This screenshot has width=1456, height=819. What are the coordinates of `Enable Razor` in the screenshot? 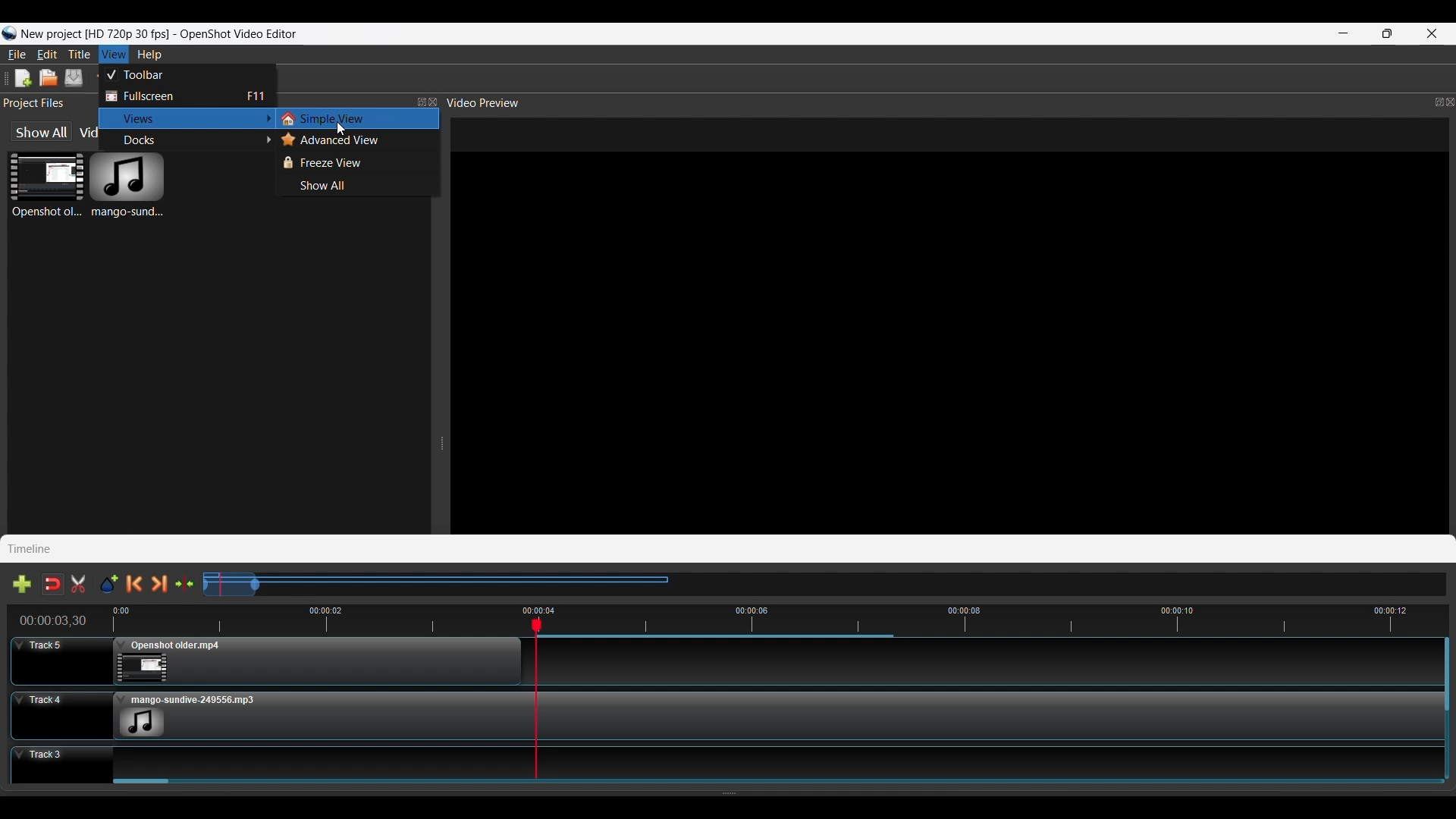 It's located at (80, 583).